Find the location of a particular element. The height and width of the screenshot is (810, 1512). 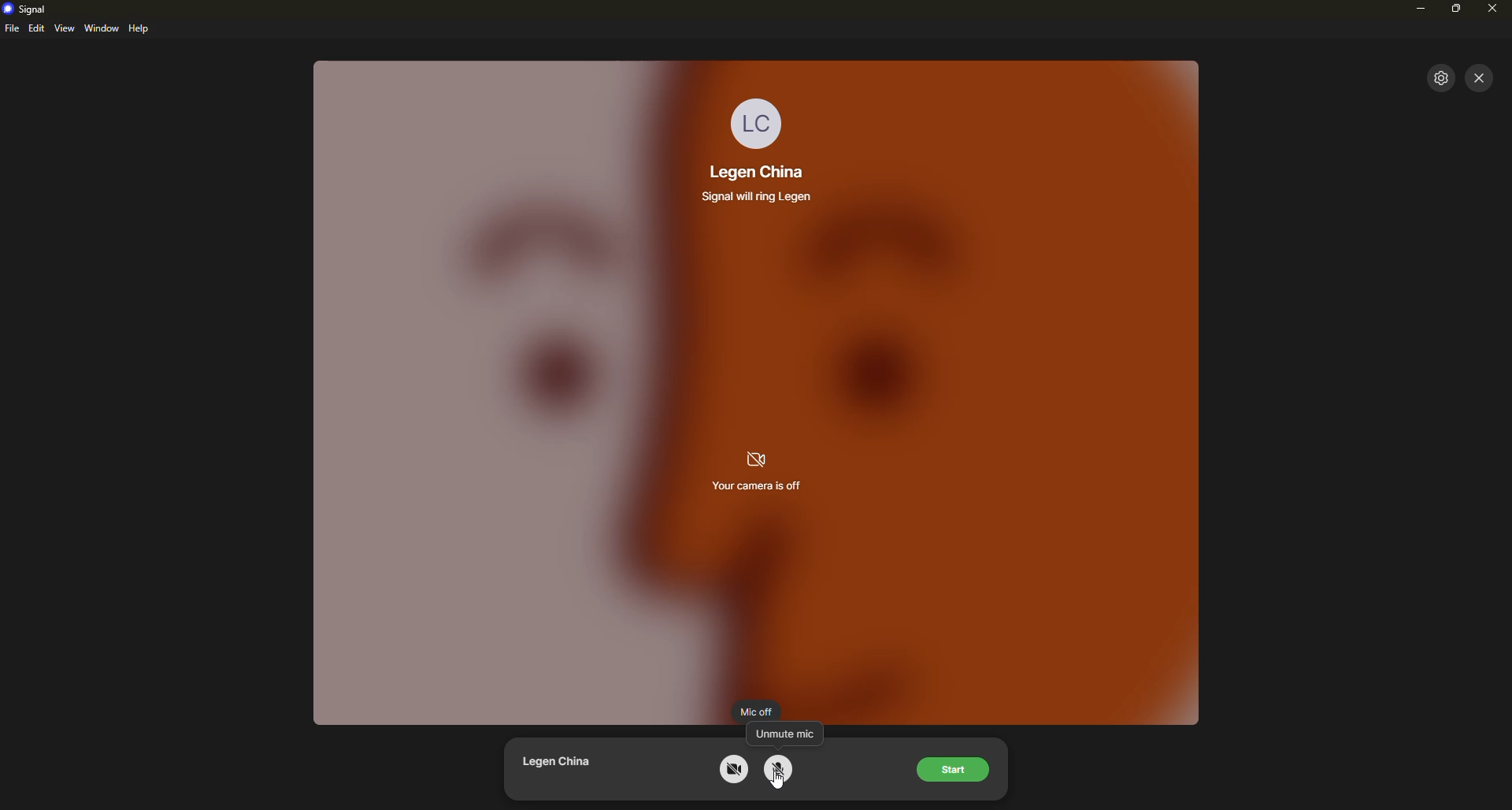

mic off is located at coordinates (779, 768).